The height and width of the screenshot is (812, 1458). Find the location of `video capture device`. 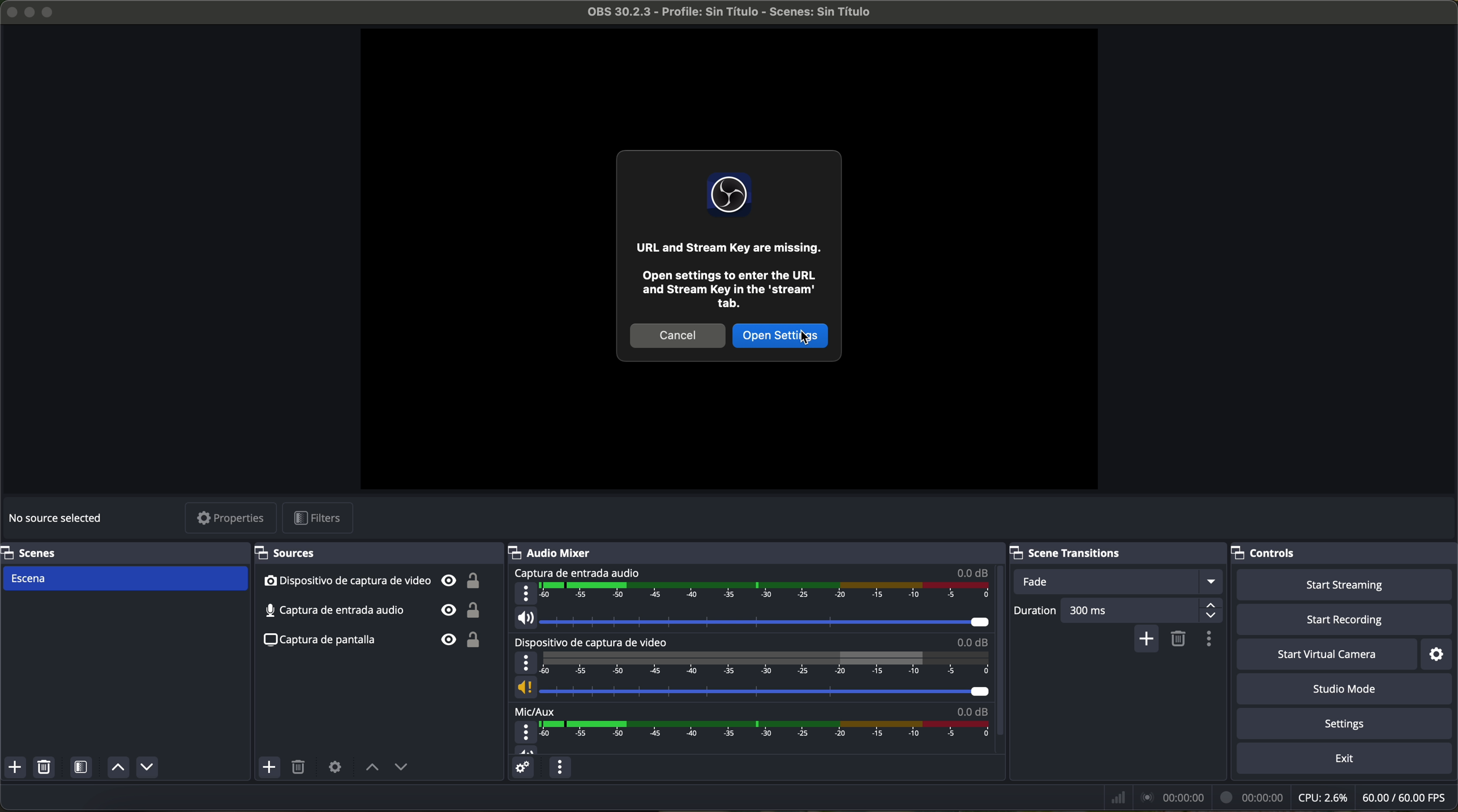

video capture device is located at coordinates (749, 668).